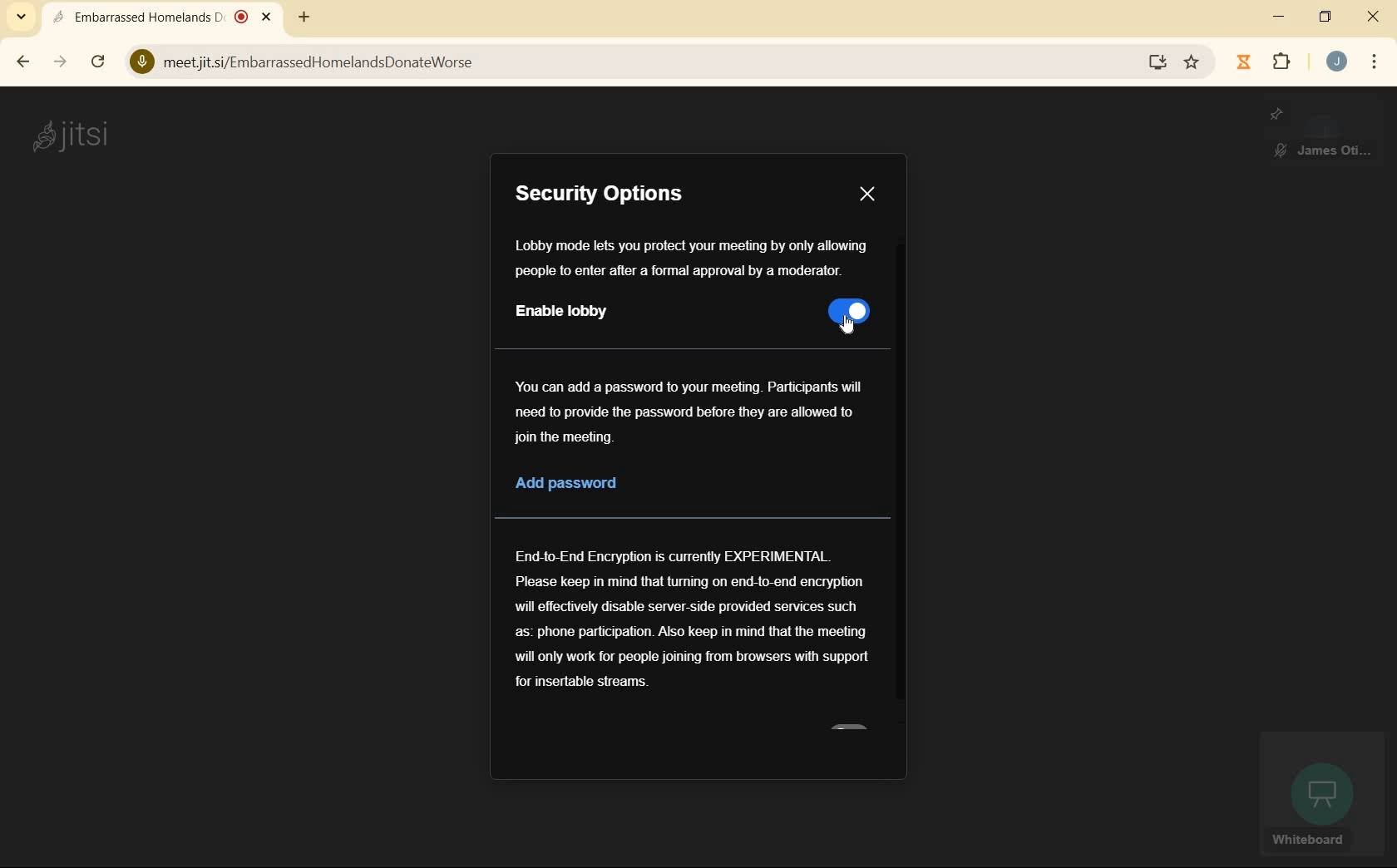 Image resolution: width=1397 pixels, height=868 pixels. I want to click on toggle, so click(848, 311).